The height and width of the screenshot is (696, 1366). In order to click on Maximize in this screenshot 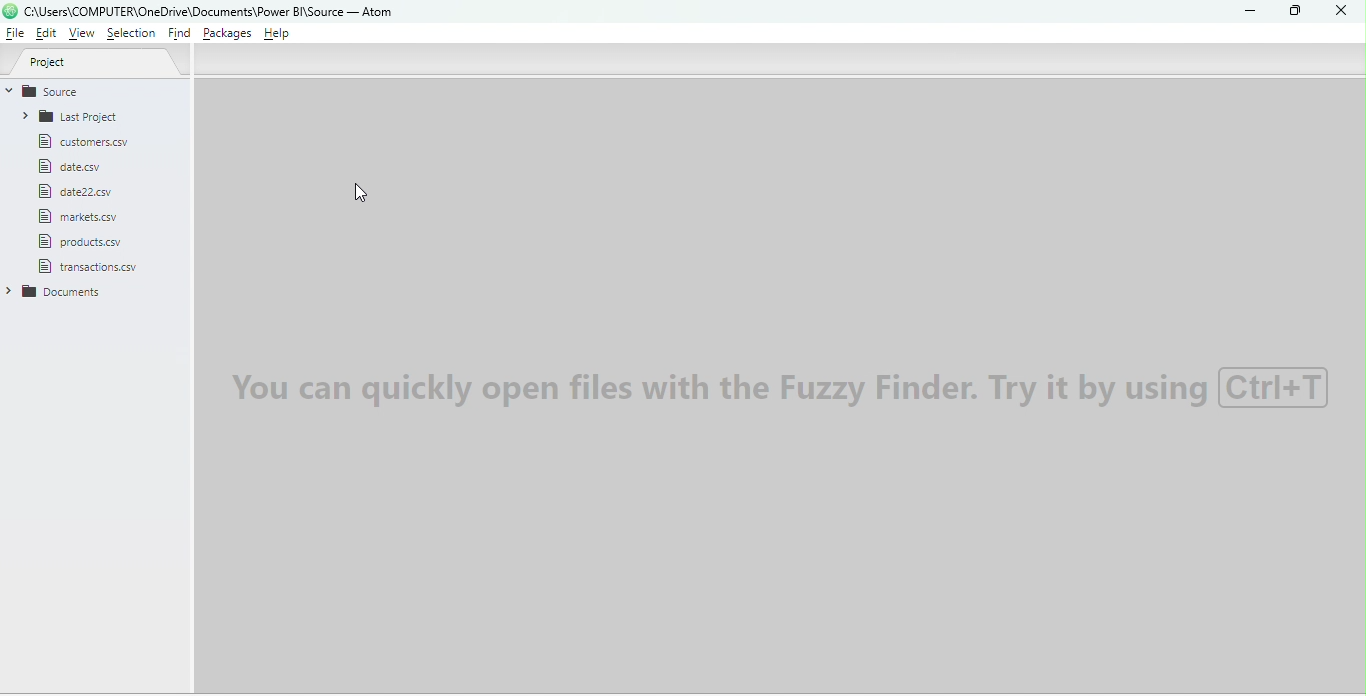, I will do `click(1291, 12)`.